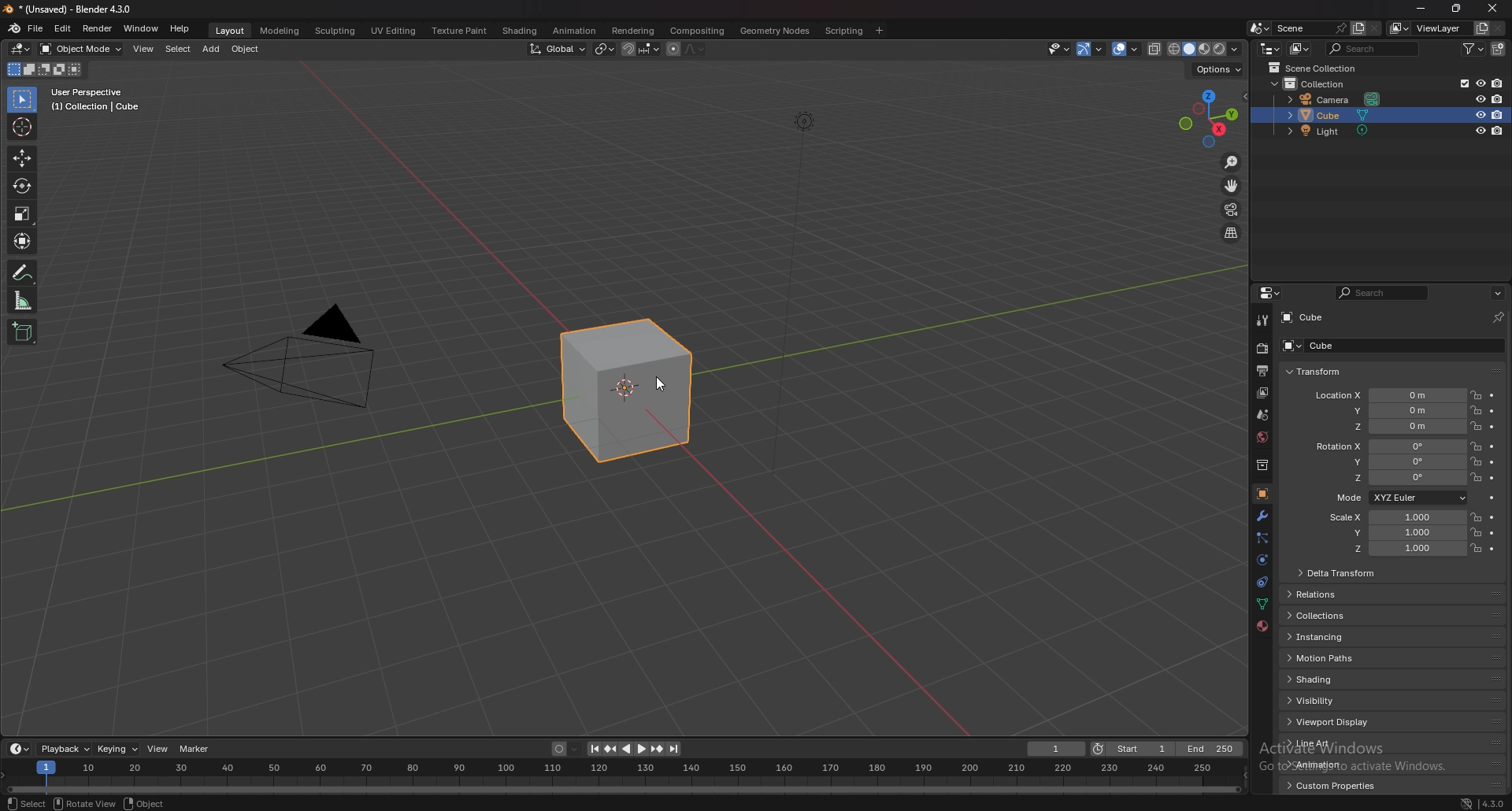 This screenshot has height=811, width=1512. I want to click on object mode, so click(82, 49).